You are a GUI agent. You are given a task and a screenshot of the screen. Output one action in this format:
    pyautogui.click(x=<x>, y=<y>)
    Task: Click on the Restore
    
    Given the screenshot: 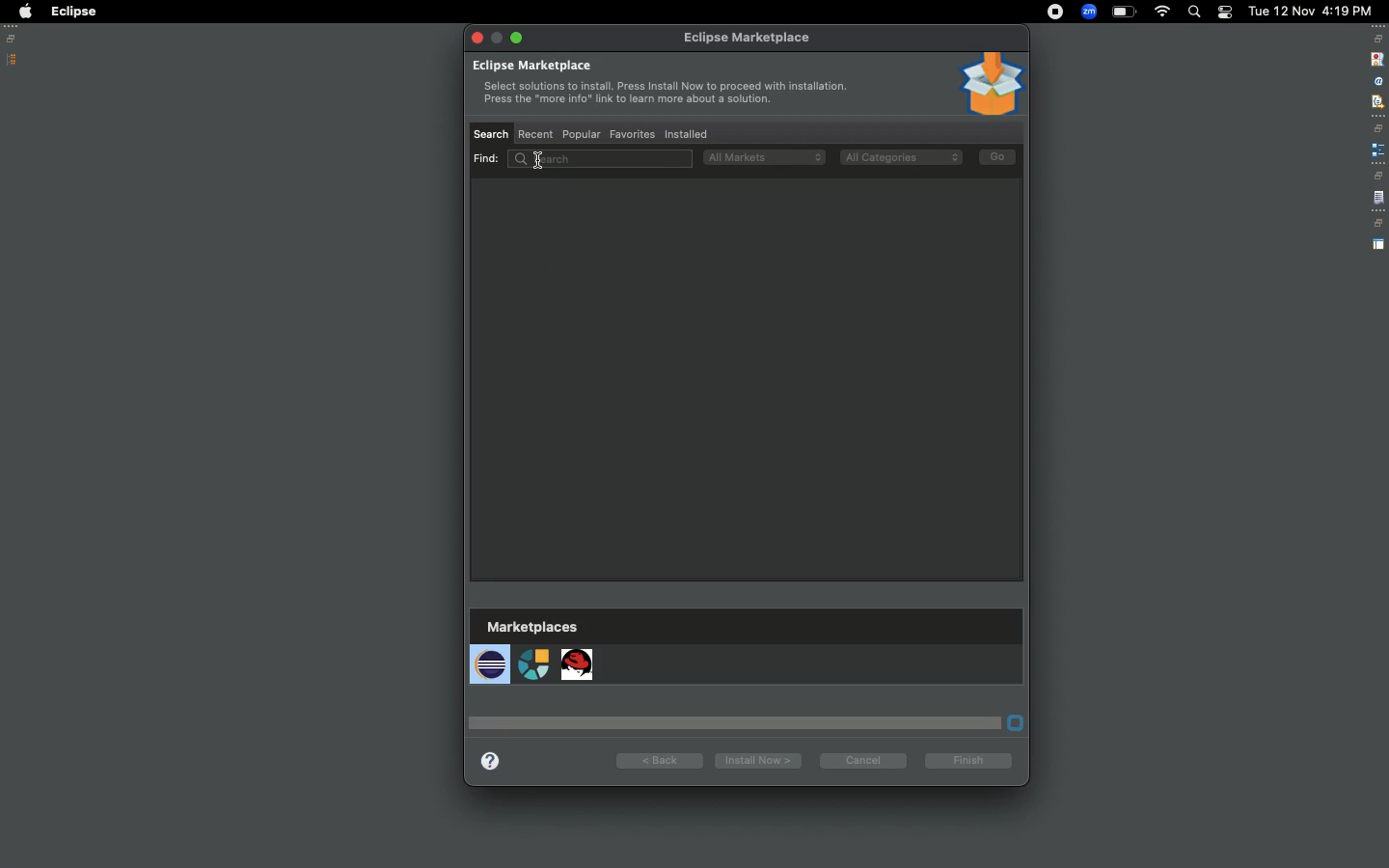 What is the action you would take?
    pyautogui.click(x=14, y=39)
    